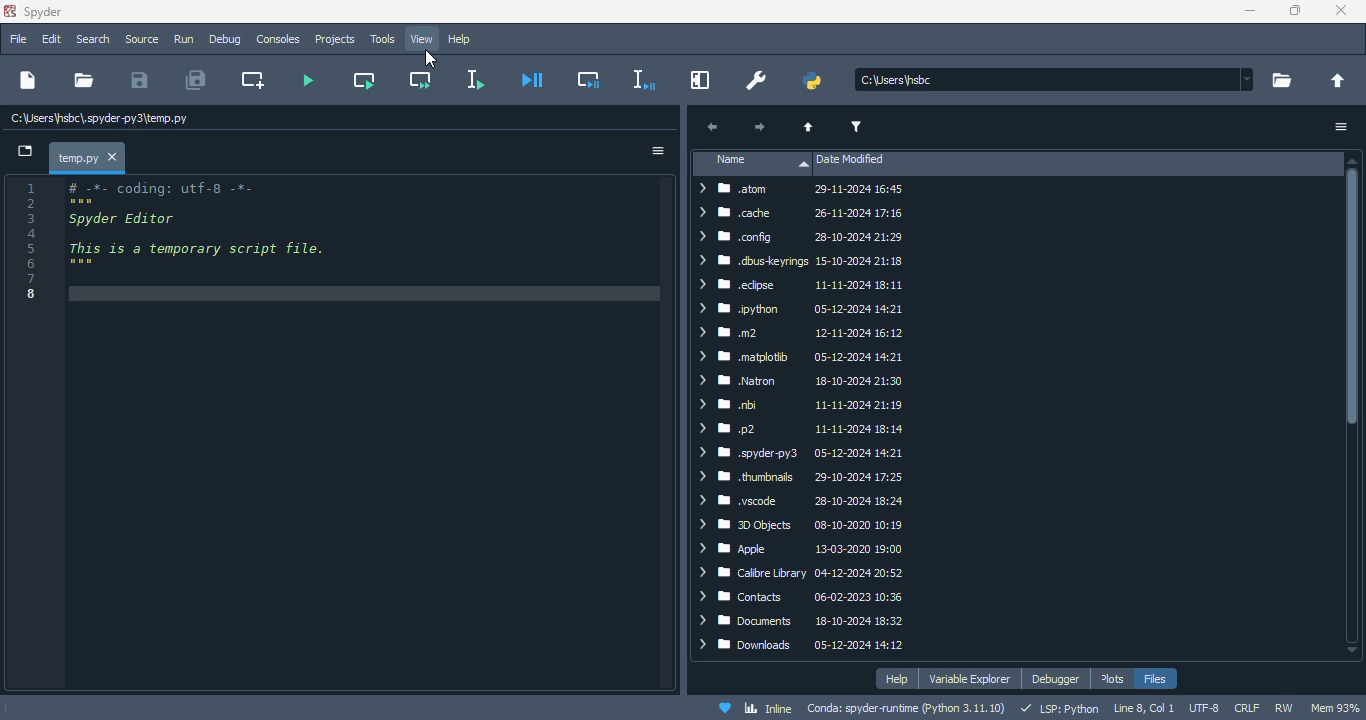 The image size is (1366, 720). I want to click on .vscode, so click(806, 501).